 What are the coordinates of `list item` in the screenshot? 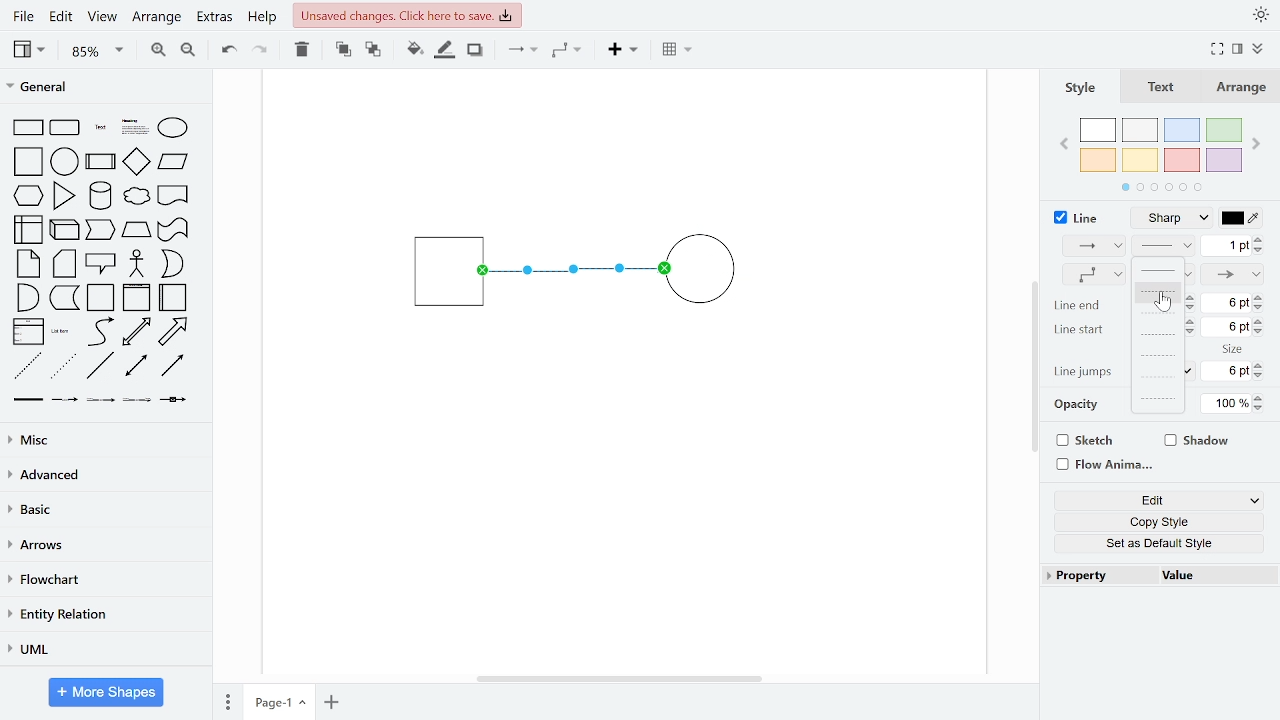 It's located at (61, 331).